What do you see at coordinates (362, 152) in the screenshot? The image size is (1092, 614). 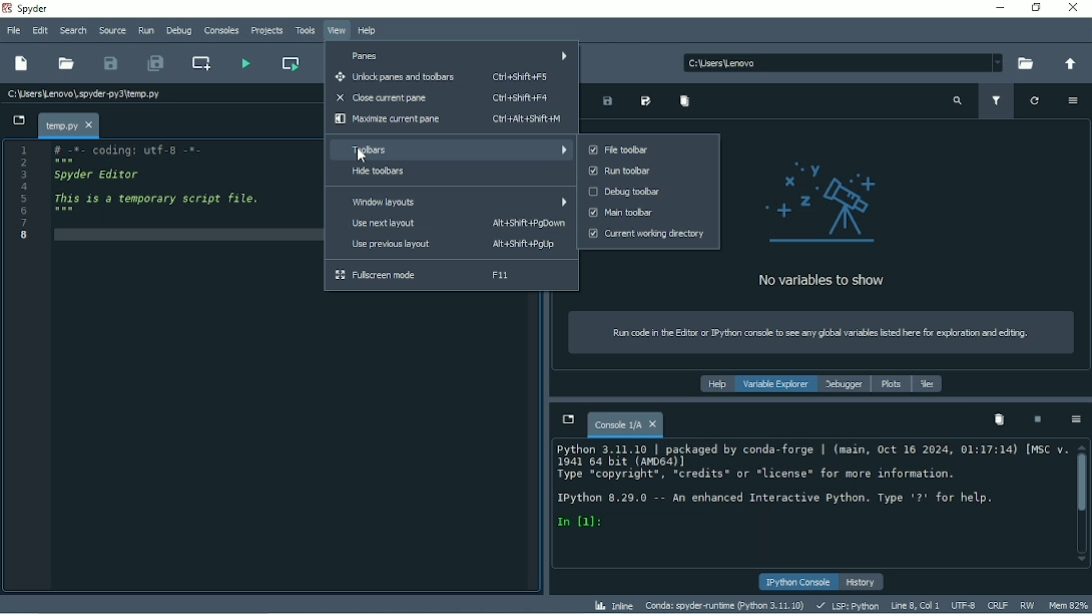 I see `cursor` at bounding box center [362, 152].